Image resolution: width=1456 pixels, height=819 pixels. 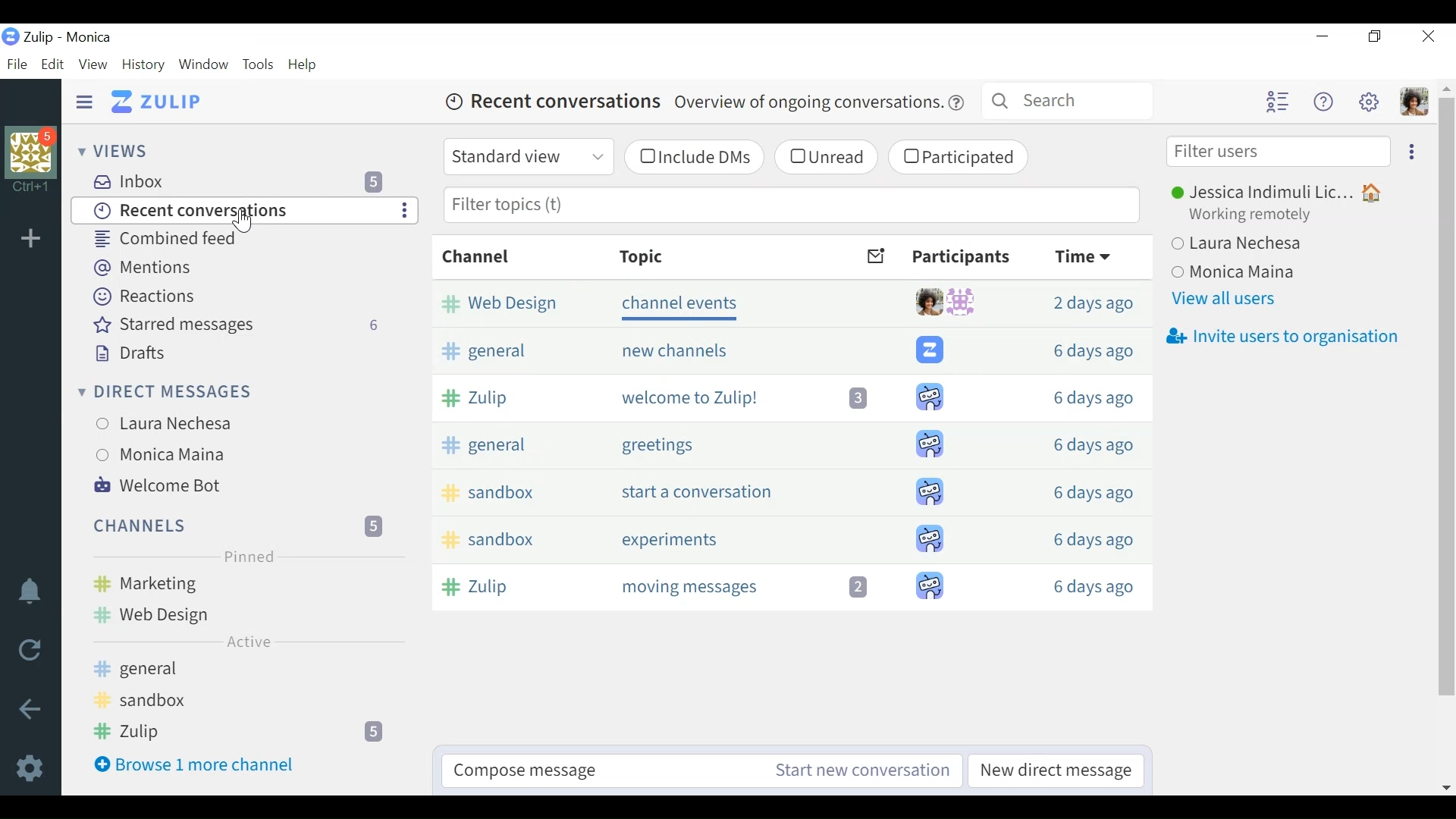 What do you see at coordinates (246, 642) in the screenshot?
I see `Active` at bounding box center [246, 642].